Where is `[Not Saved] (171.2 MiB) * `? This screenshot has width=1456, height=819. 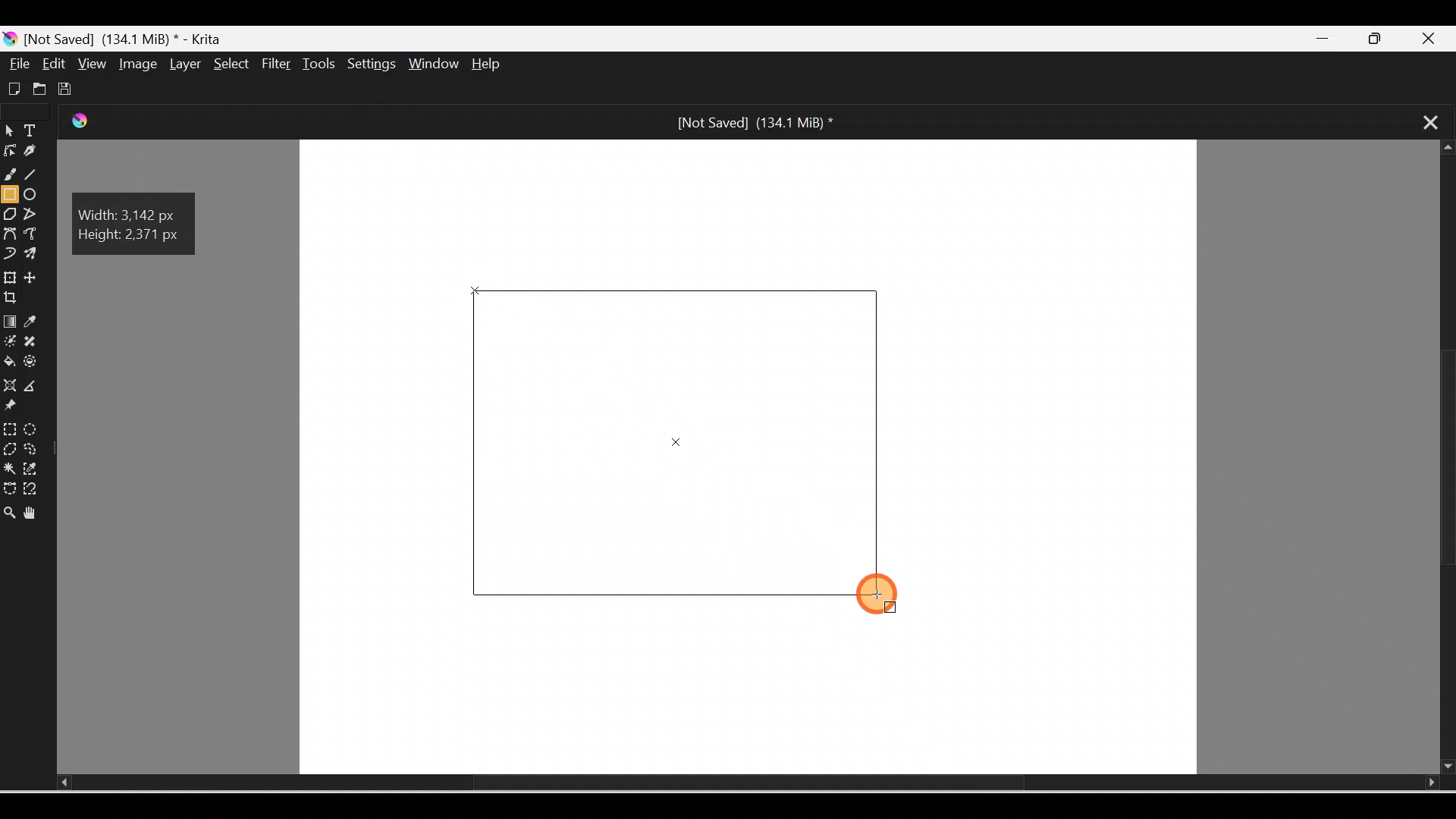
[Not Saved] (171.2 MiB) *  is located at coordinates (751, 121).